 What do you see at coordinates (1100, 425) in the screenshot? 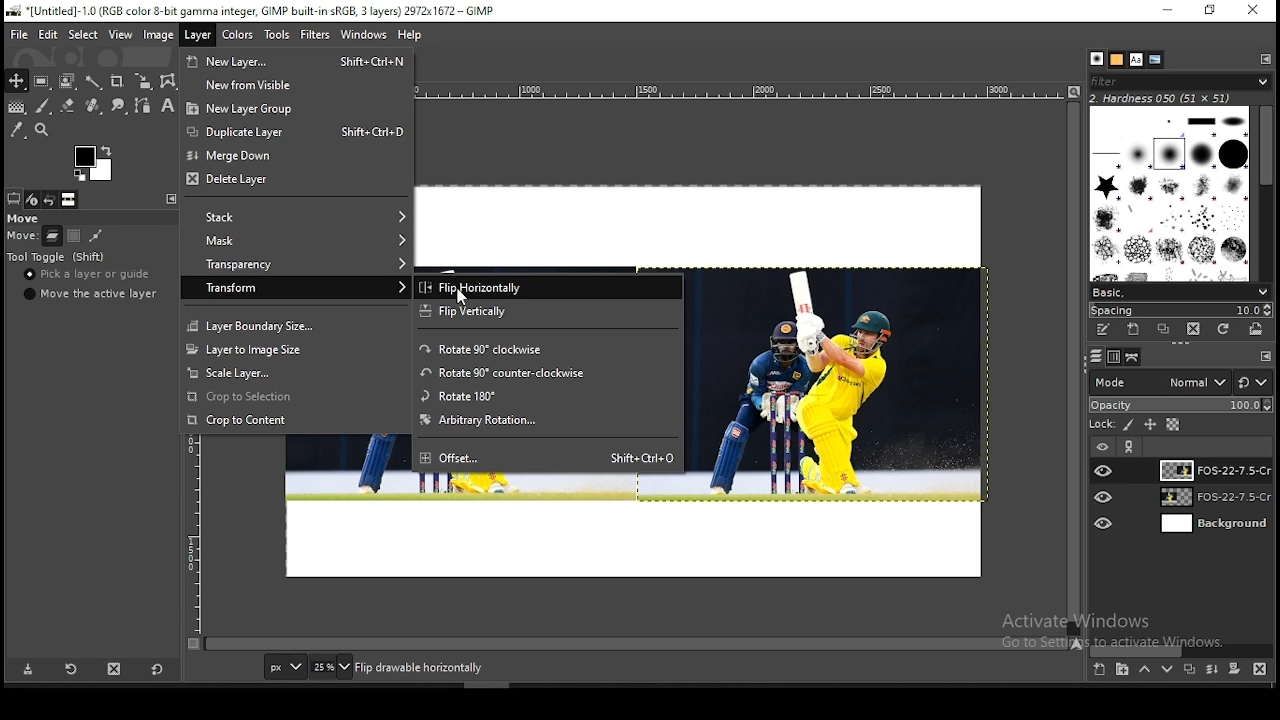
I see `lock` at bounding box center [1100, 425].